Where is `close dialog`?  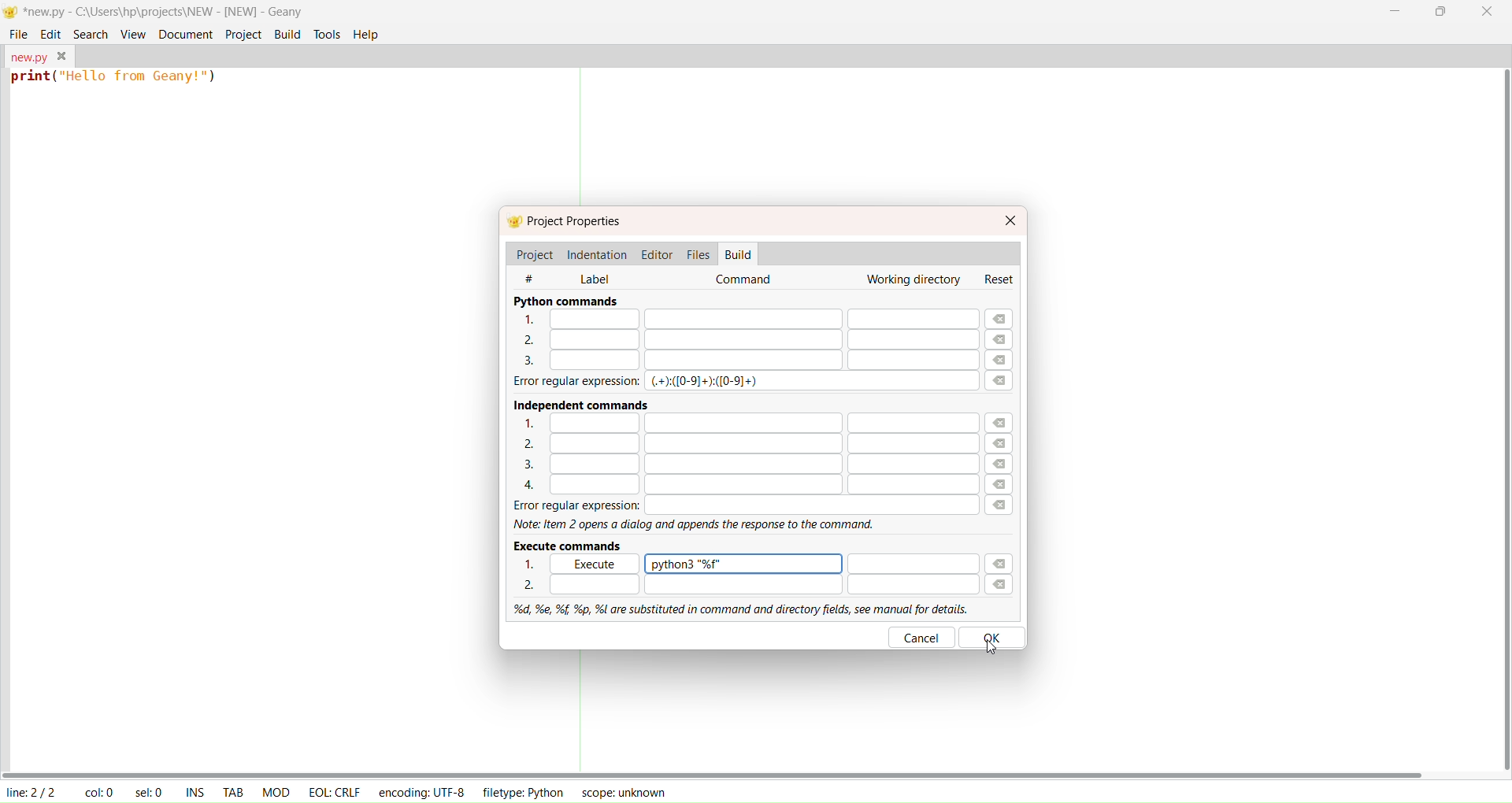 close dialog is located at coordinates (1011, 220).